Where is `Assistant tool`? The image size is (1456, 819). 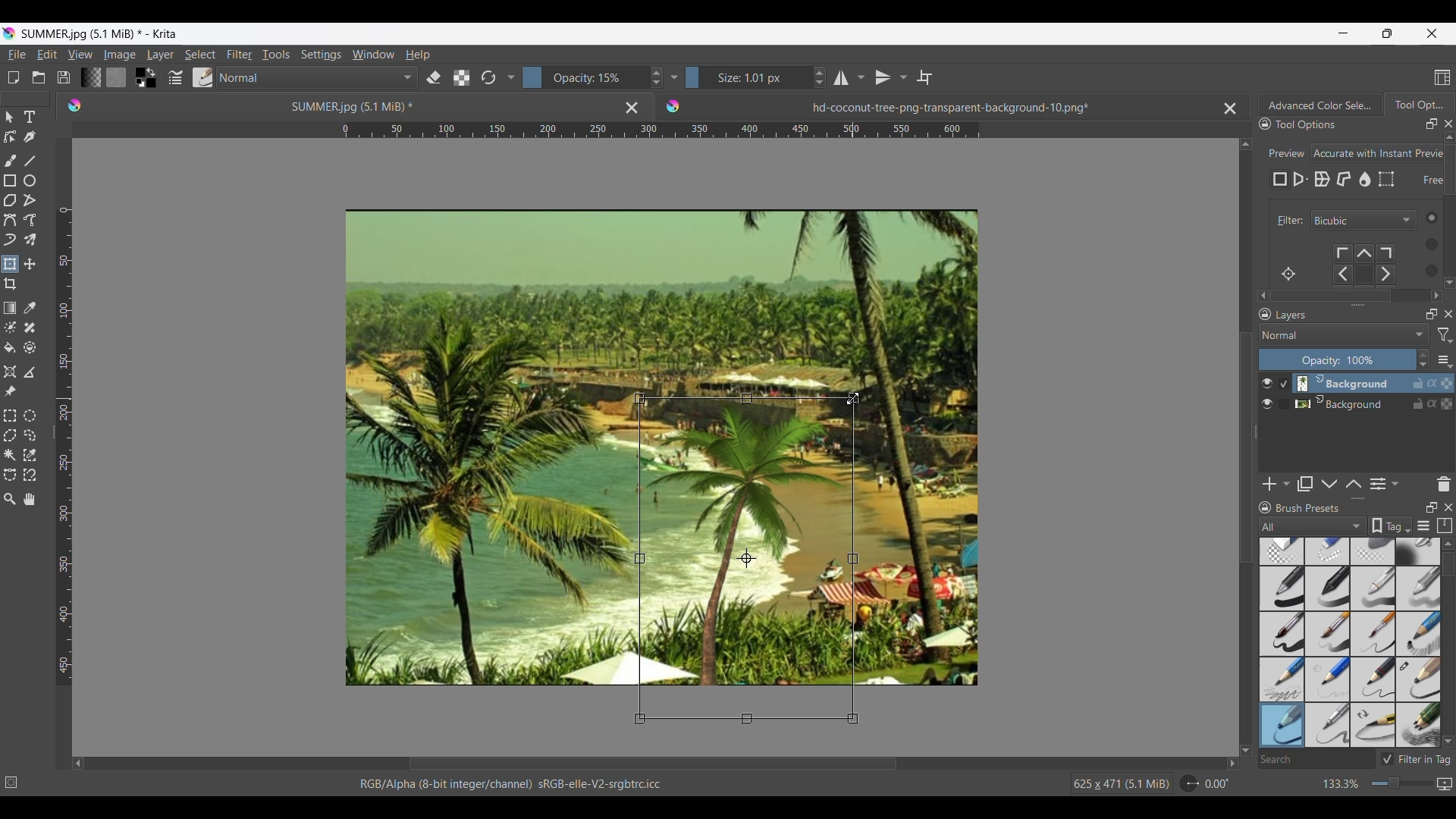
Assistant tool is located at coordinates (10, 372).